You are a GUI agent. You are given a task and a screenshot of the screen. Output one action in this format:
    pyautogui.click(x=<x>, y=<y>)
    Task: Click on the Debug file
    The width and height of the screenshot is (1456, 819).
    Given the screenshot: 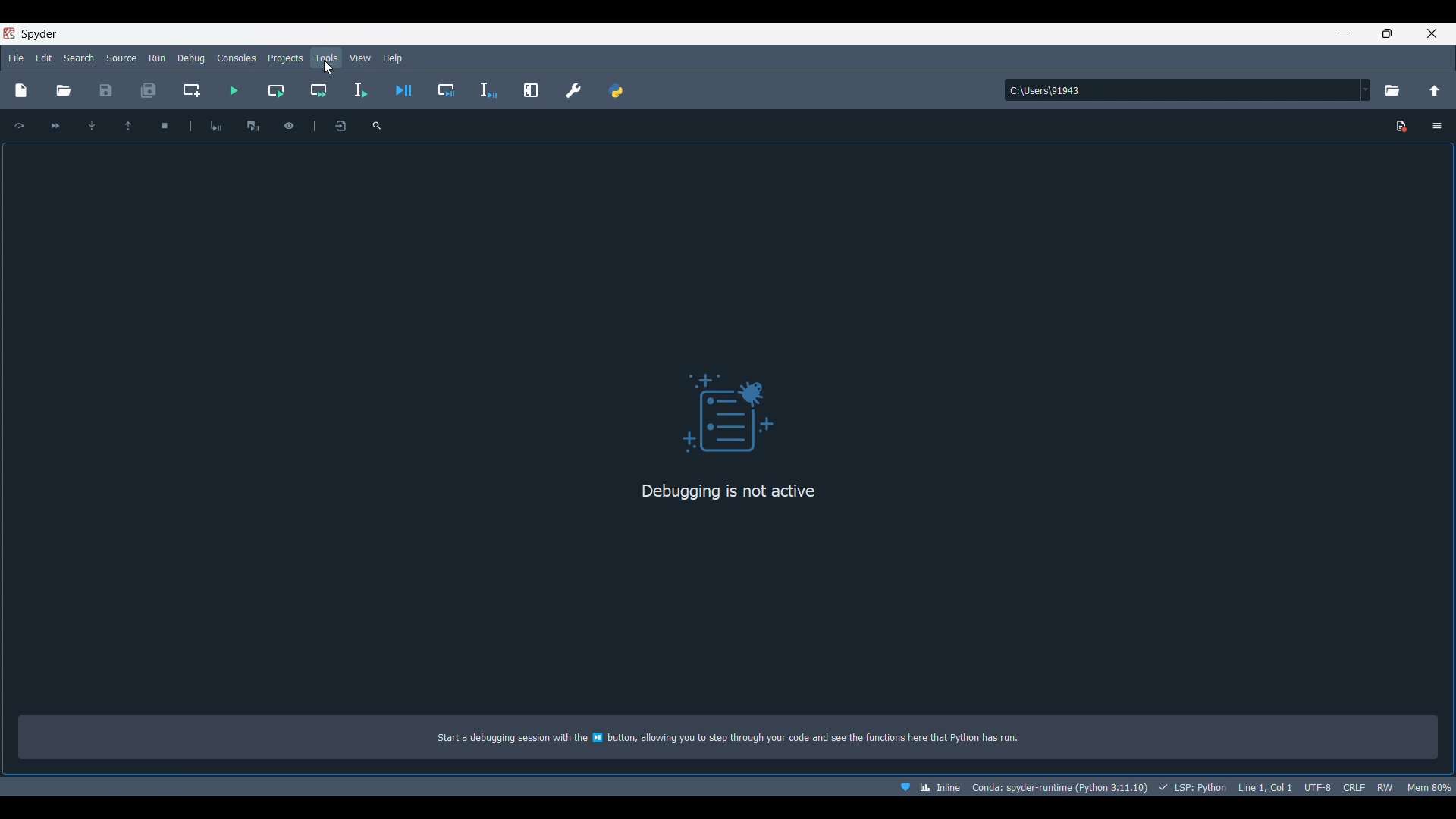 What is the action you would take?
    pyautogui.click(x=403, y=90)
    